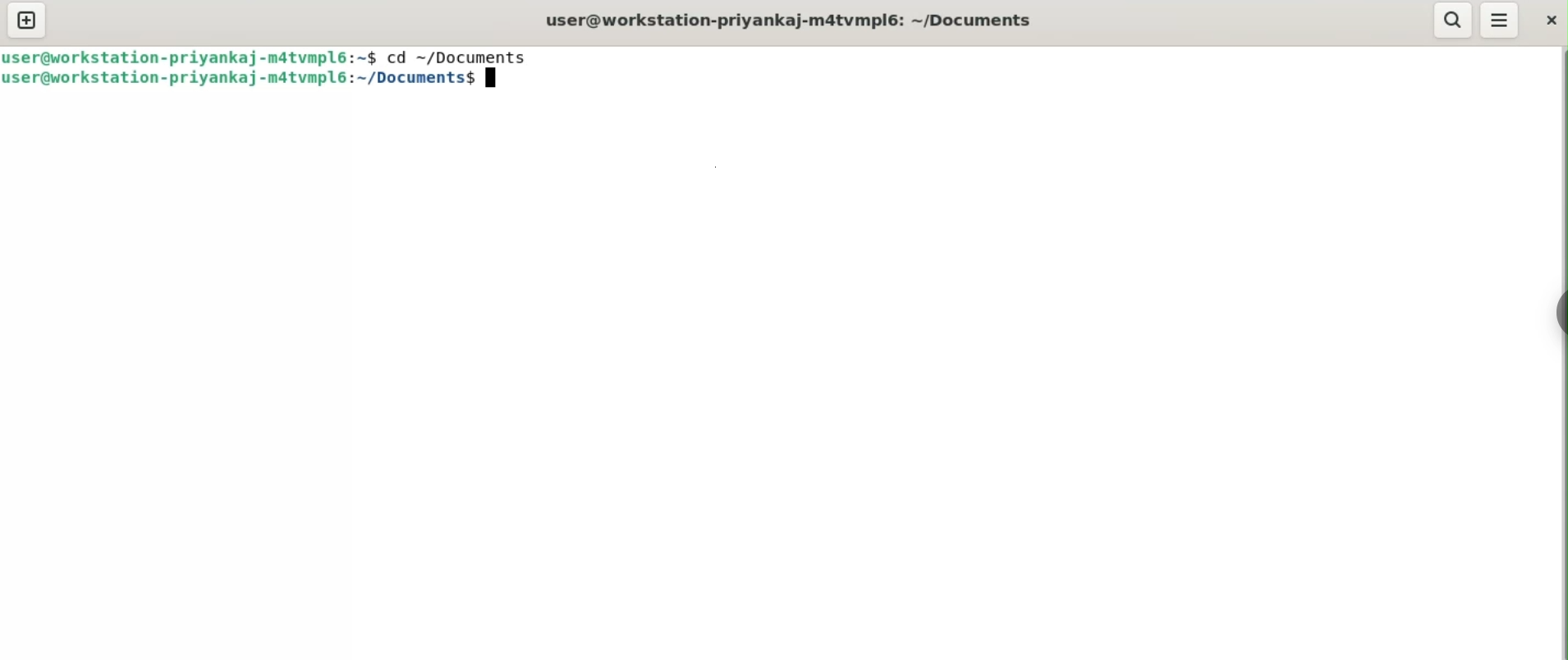  Describe the element at coordinates (791, 20) in the screenshot. I see `shell promptuser@workstation-priyankaj-m4tvmpl6: ~/Documents$` at that location.